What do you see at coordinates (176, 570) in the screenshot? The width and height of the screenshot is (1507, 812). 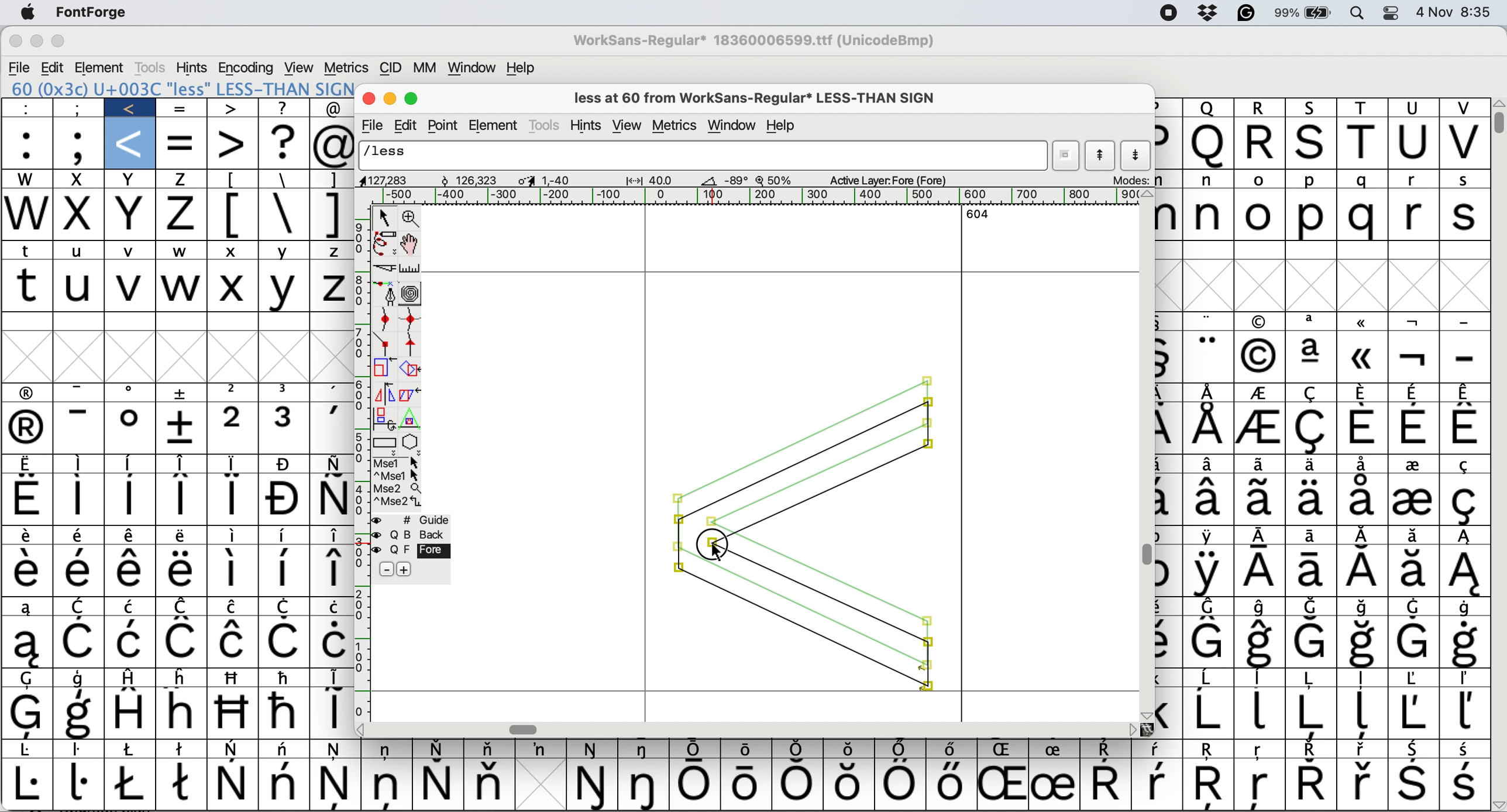 I see `Symbol` at bounding box center [176, 570].